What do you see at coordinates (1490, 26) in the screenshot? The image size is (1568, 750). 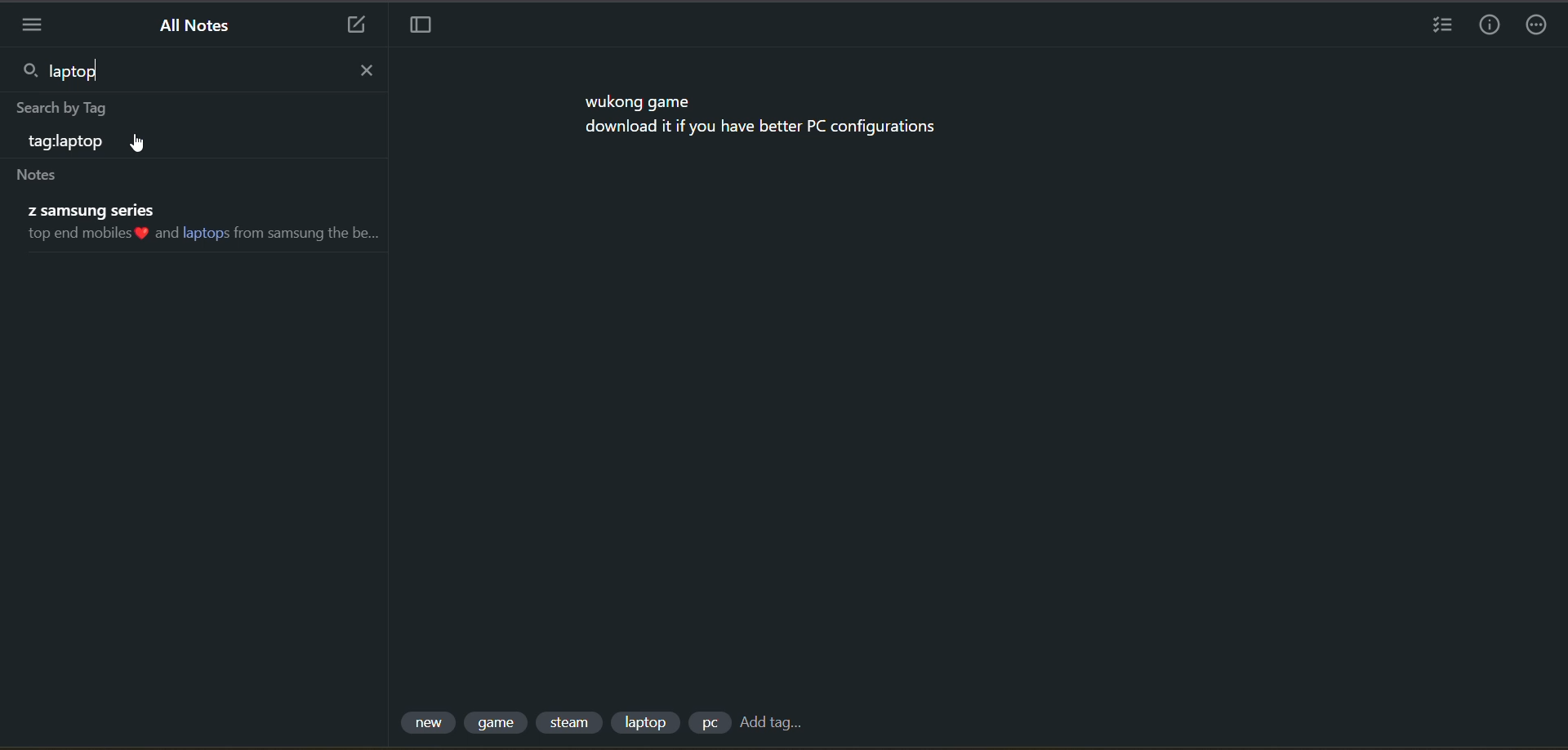 I see `info` at bounding box center [1490, 26].